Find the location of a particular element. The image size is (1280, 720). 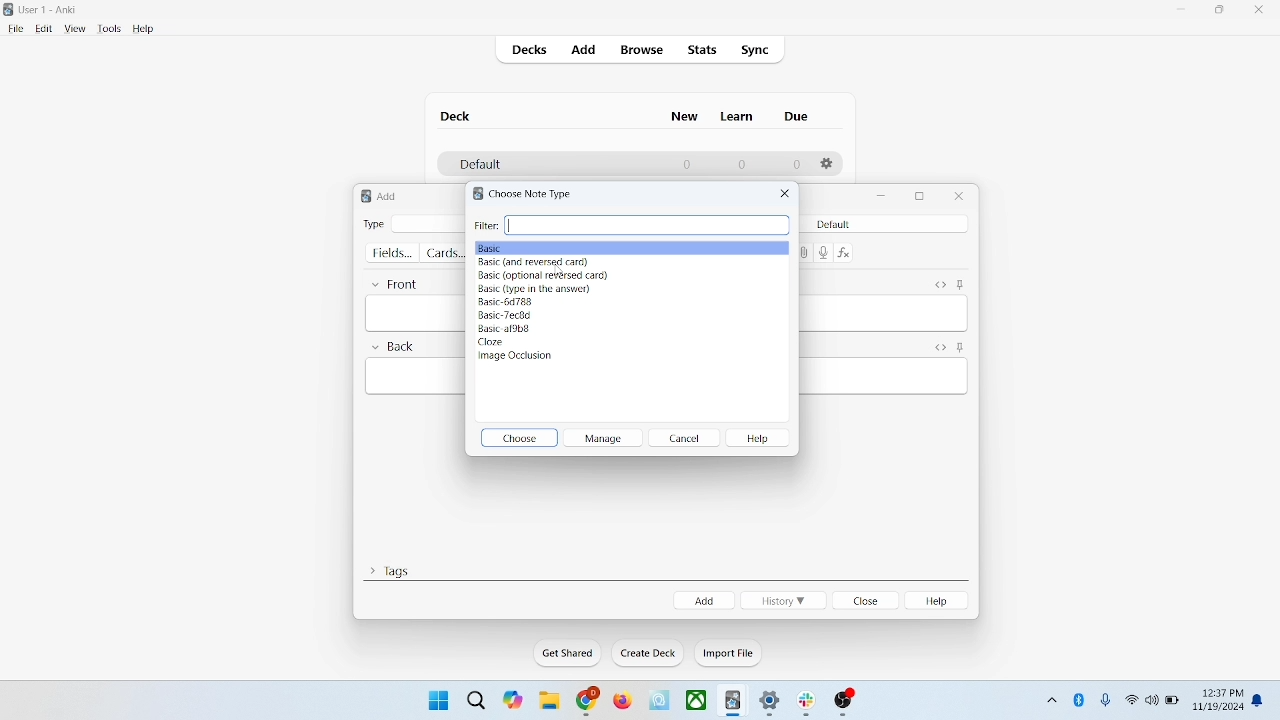

add is located at coordinates (704, 600).